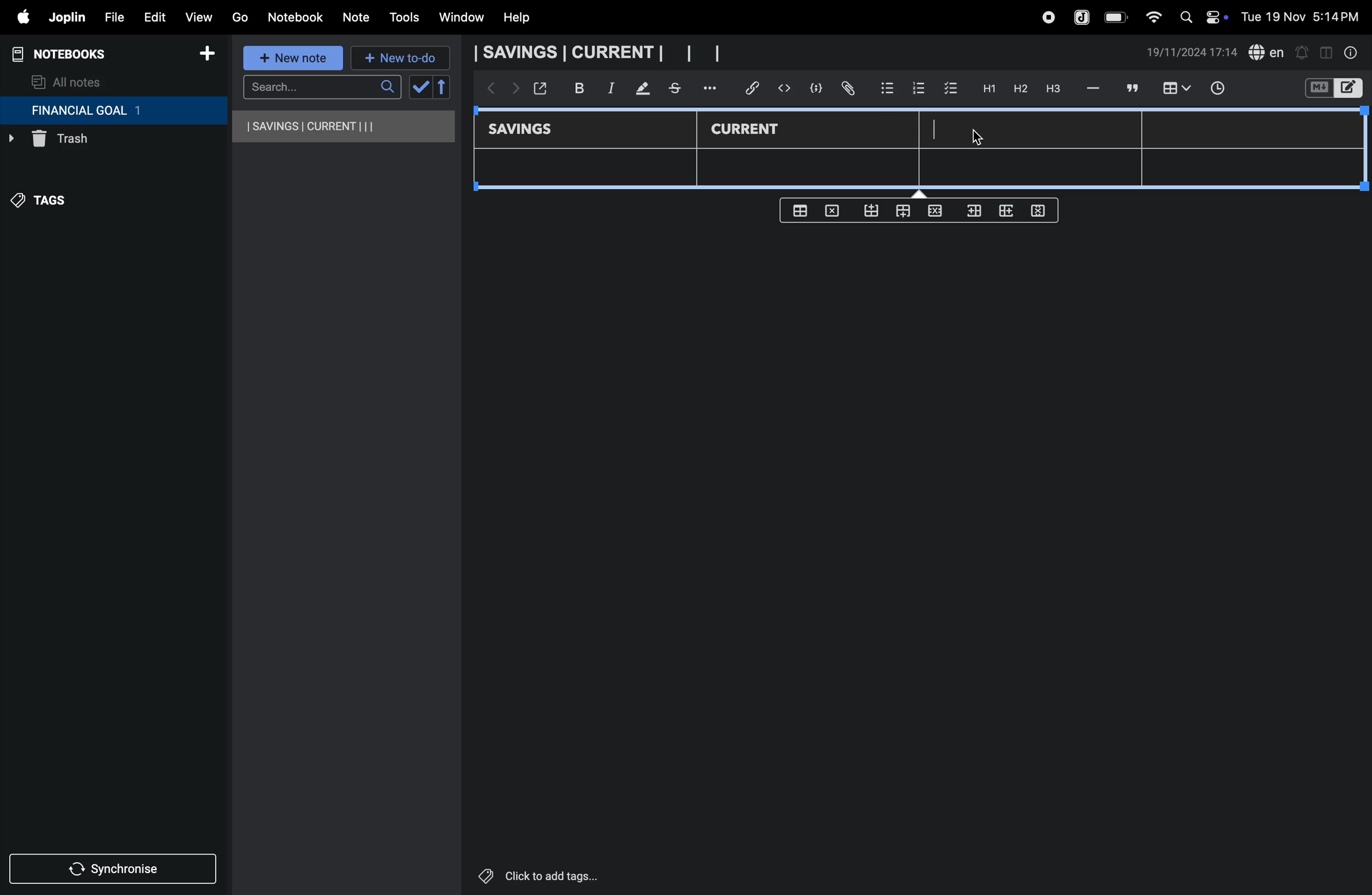  What do you see at coordinates (402, 17) in the screenshot?
I see `tools` at bounding box center [402, 17].